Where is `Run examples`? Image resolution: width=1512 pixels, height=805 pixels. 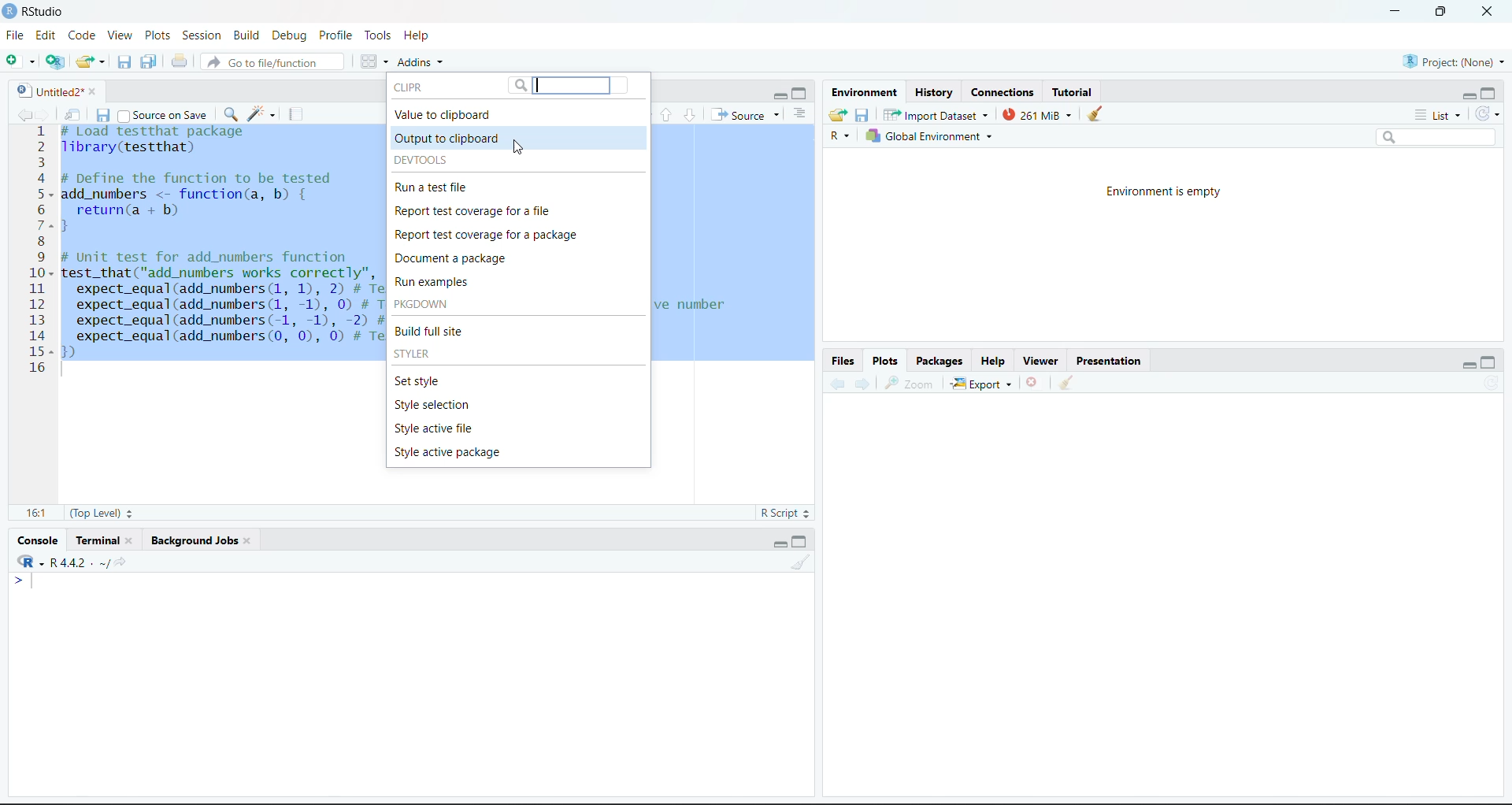
Run examples is located at coordinates (436, 283).